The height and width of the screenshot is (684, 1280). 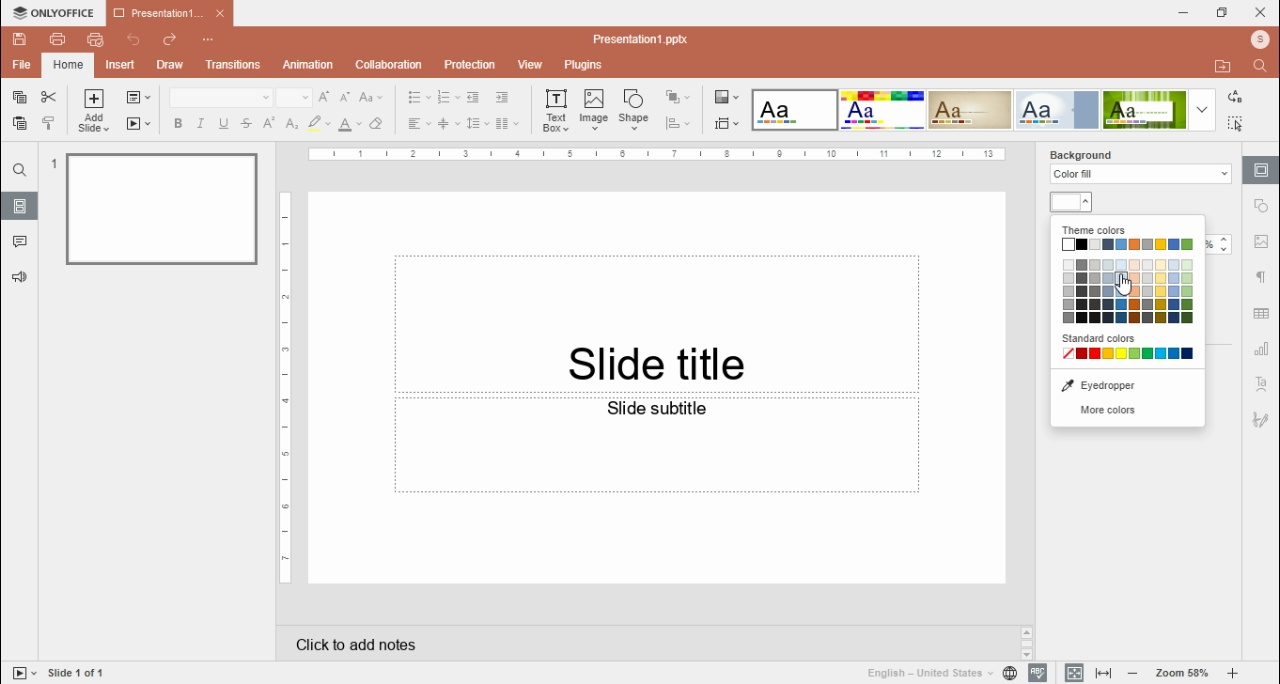 I want to click on scale, so click(x=652, y=155).